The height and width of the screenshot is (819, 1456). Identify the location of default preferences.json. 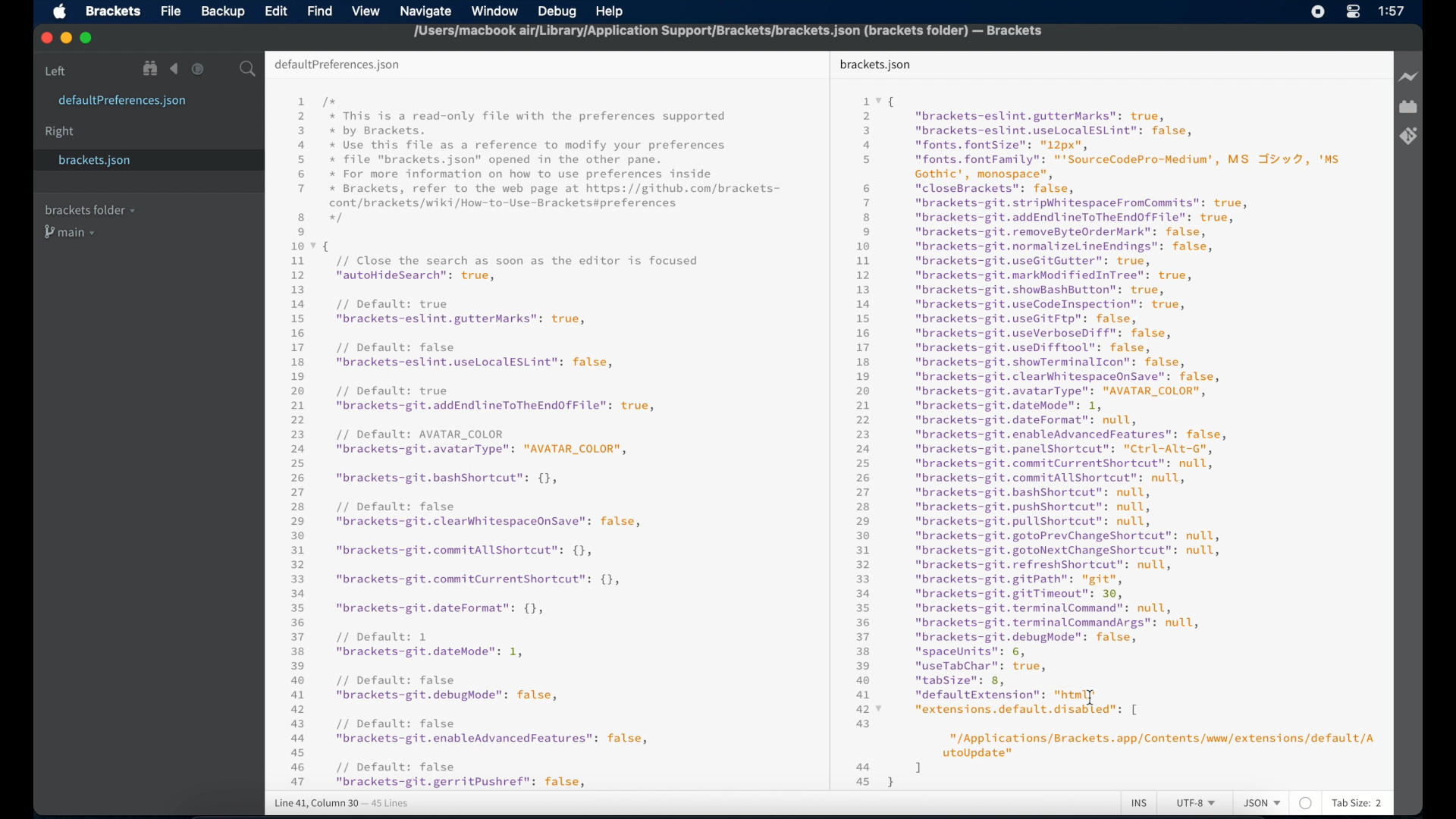
(337, 65).